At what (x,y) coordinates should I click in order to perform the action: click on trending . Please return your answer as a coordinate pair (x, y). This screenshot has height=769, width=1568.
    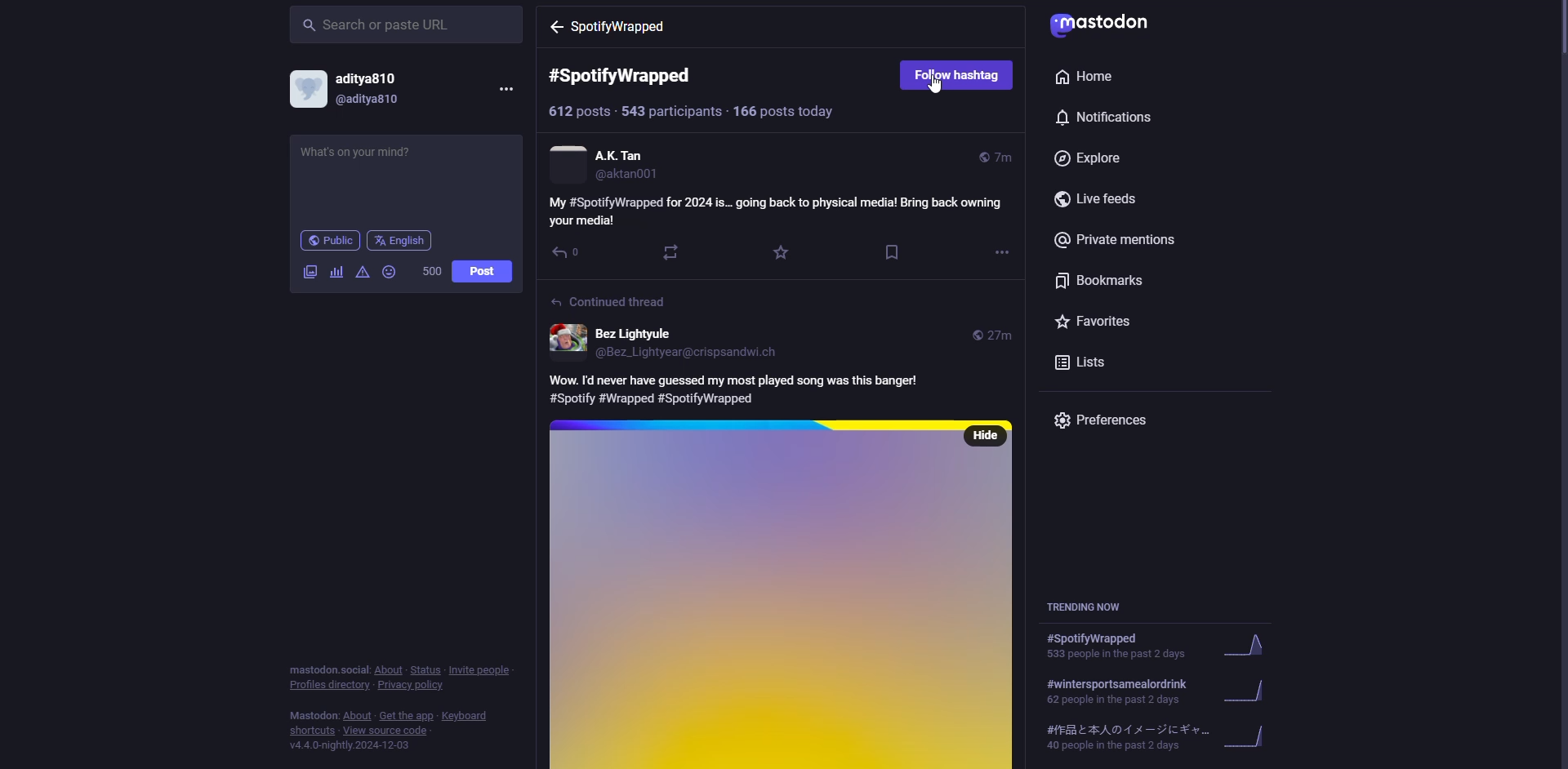
    Looking at the image, I should click on (1090, 607).